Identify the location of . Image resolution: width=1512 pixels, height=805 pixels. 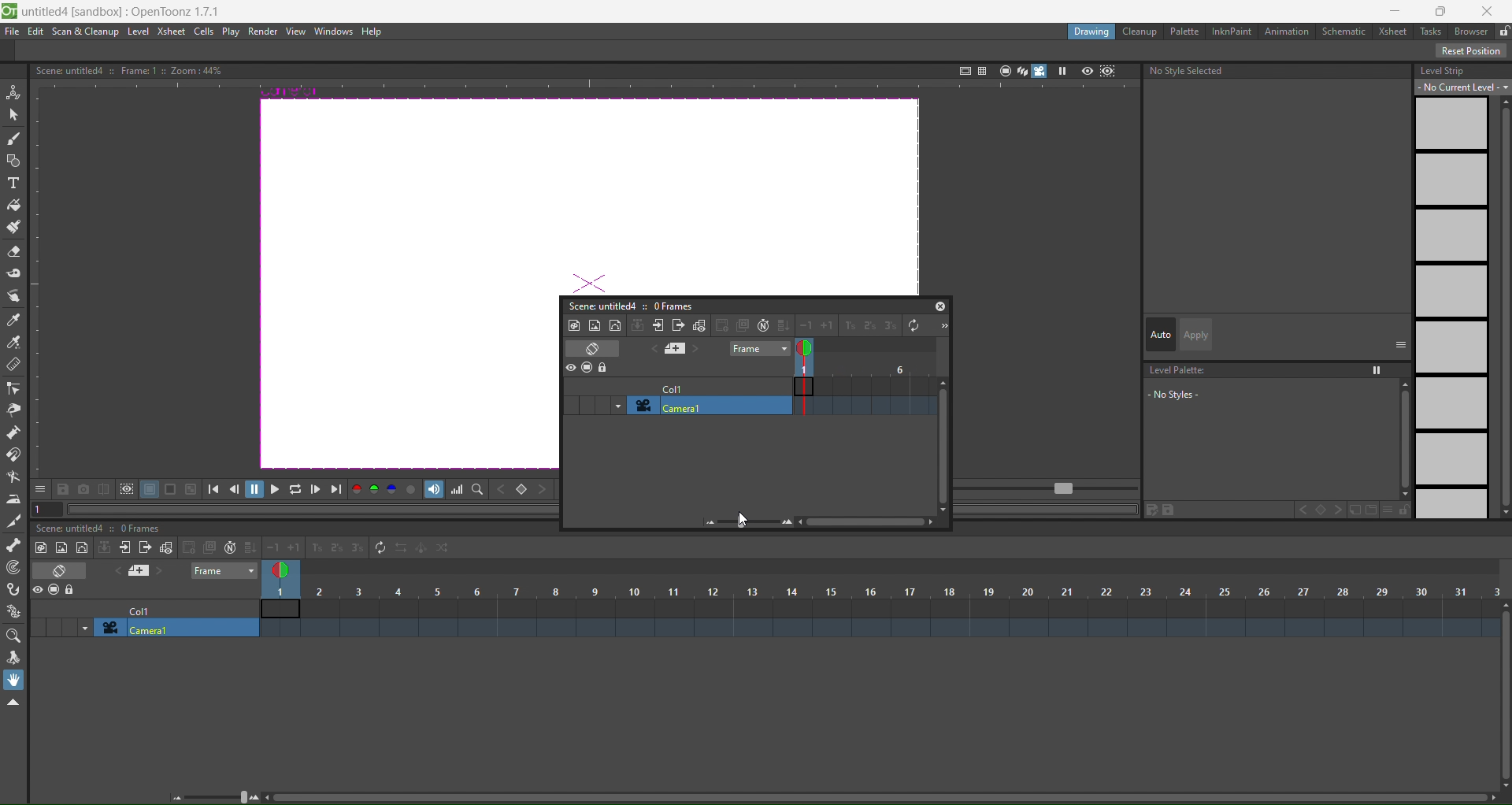
(14, 658).